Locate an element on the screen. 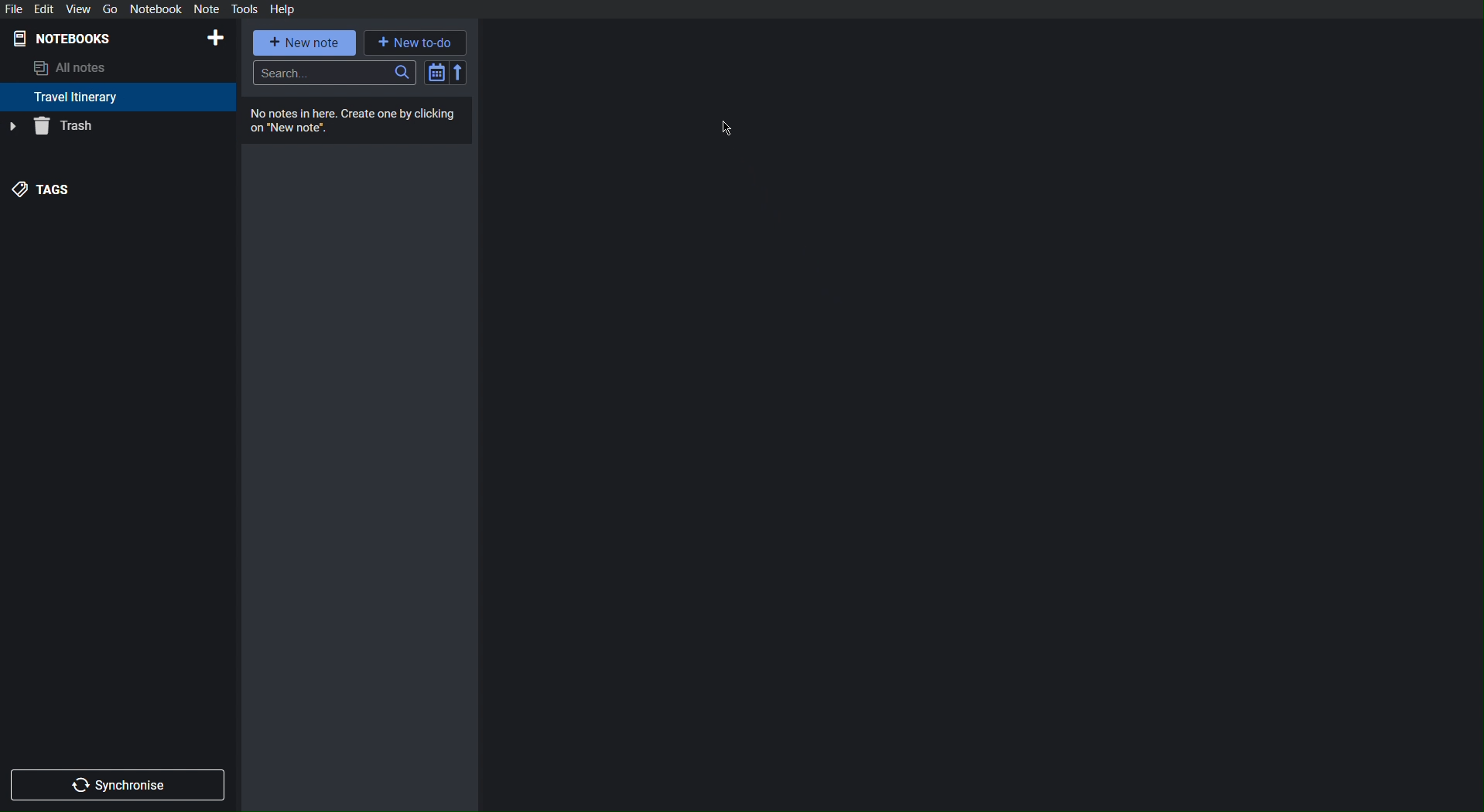 The height and width of the screenshot is (812, 1484). All notes is located at coordinates (68, 68).